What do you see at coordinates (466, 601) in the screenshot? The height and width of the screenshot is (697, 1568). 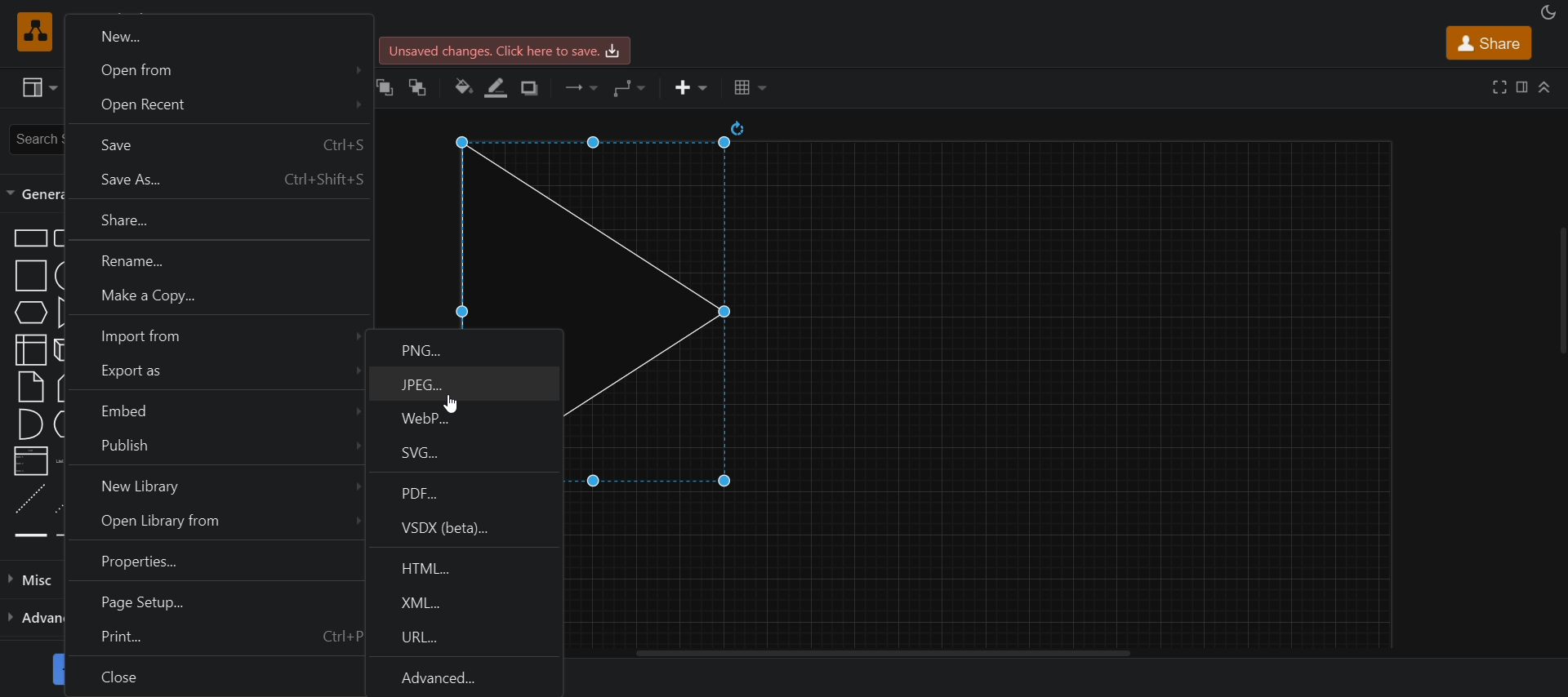 I see `xml` at bounding box center [466, 601].